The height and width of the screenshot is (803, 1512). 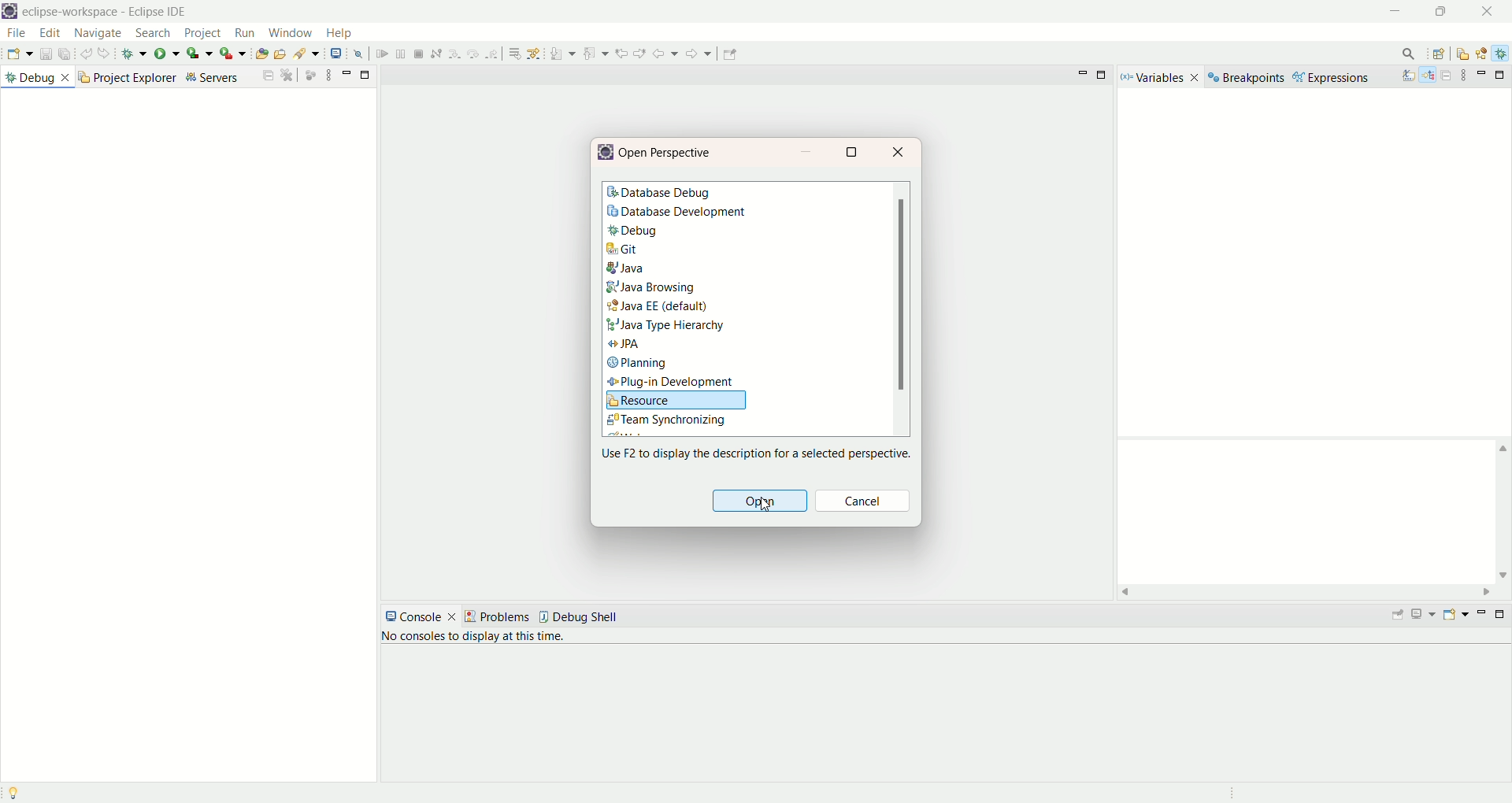 I want to click on open web browser, so click(x=407, y=54).